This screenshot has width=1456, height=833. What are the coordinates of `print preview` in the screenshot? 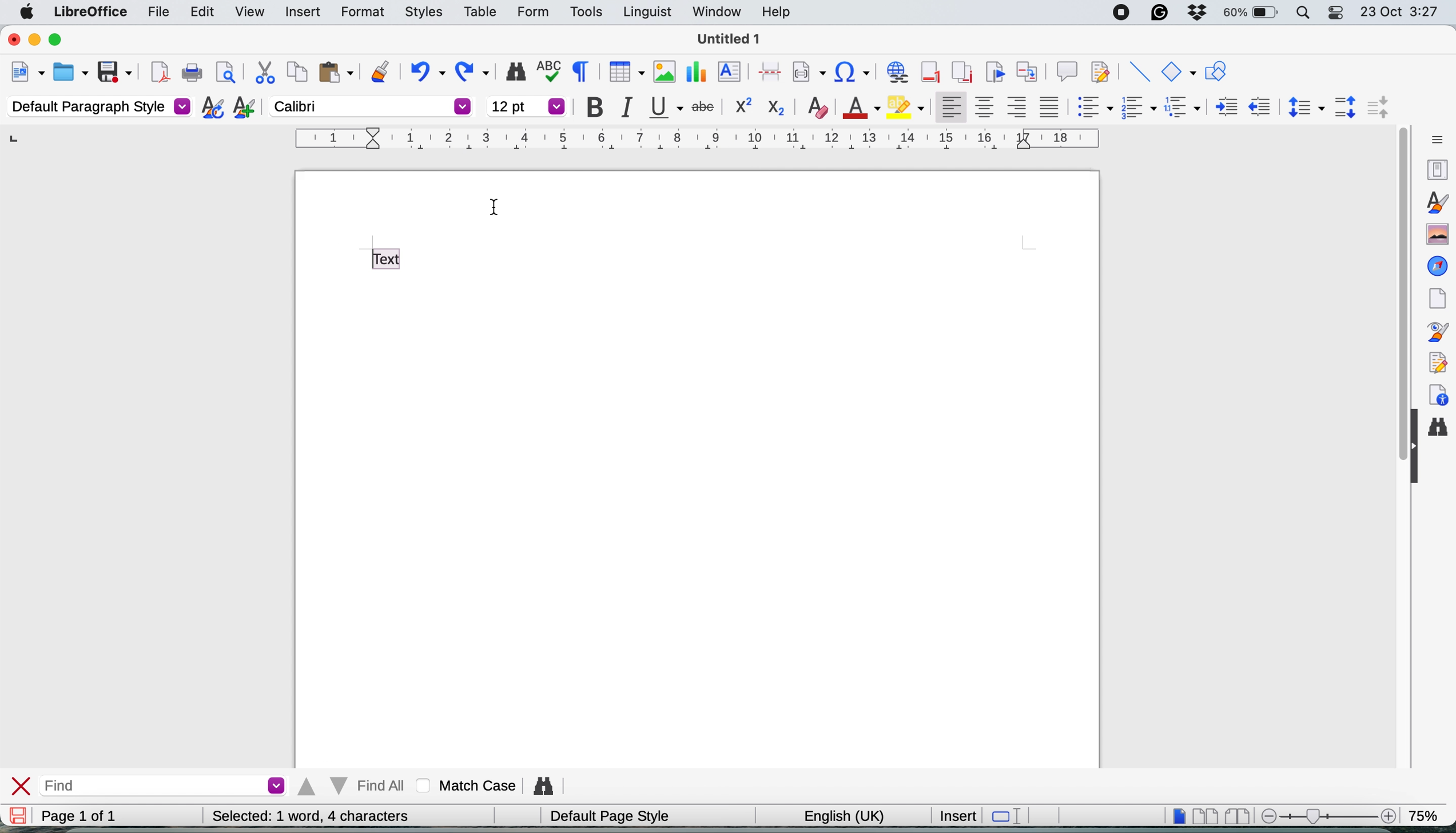 It's located at (225, 74).